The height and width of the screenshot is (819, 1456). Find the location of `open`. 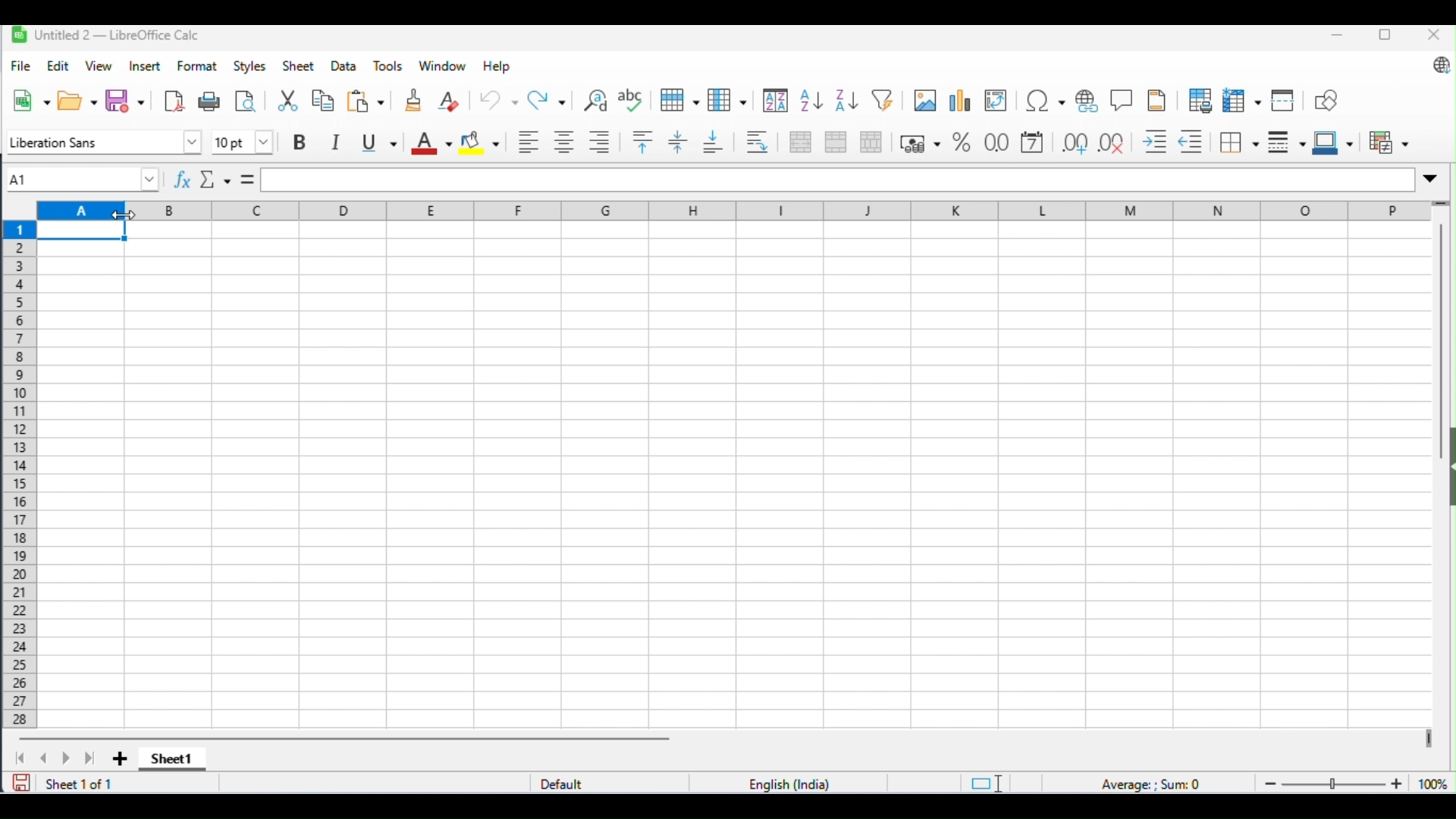

open is located at coordinates (78, 99).